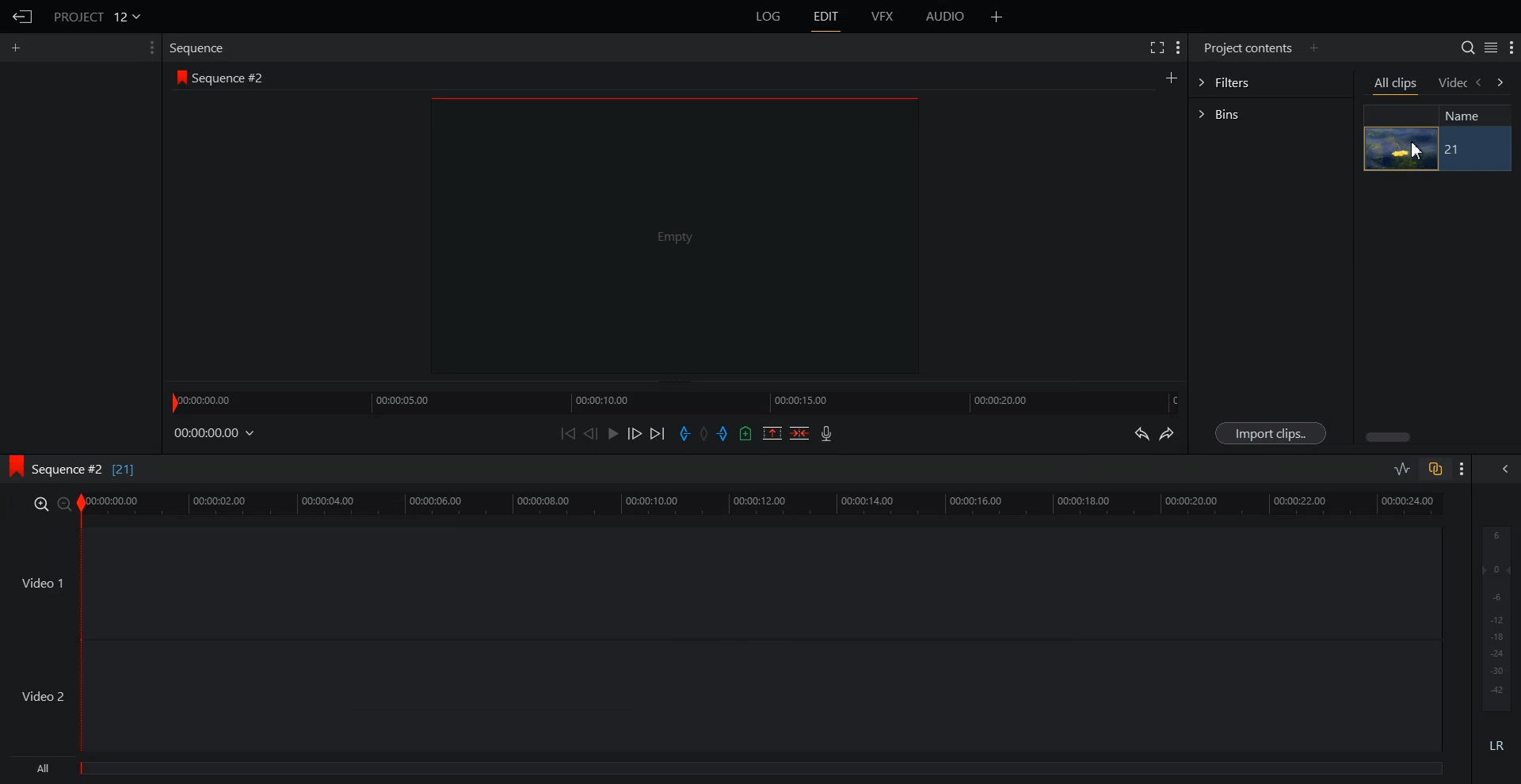 The height and width of the screenshot is (784, 1521). Describe the element at coordinates (746, 432) in the screenshot. I see `Add Cue in the current video` at that location.